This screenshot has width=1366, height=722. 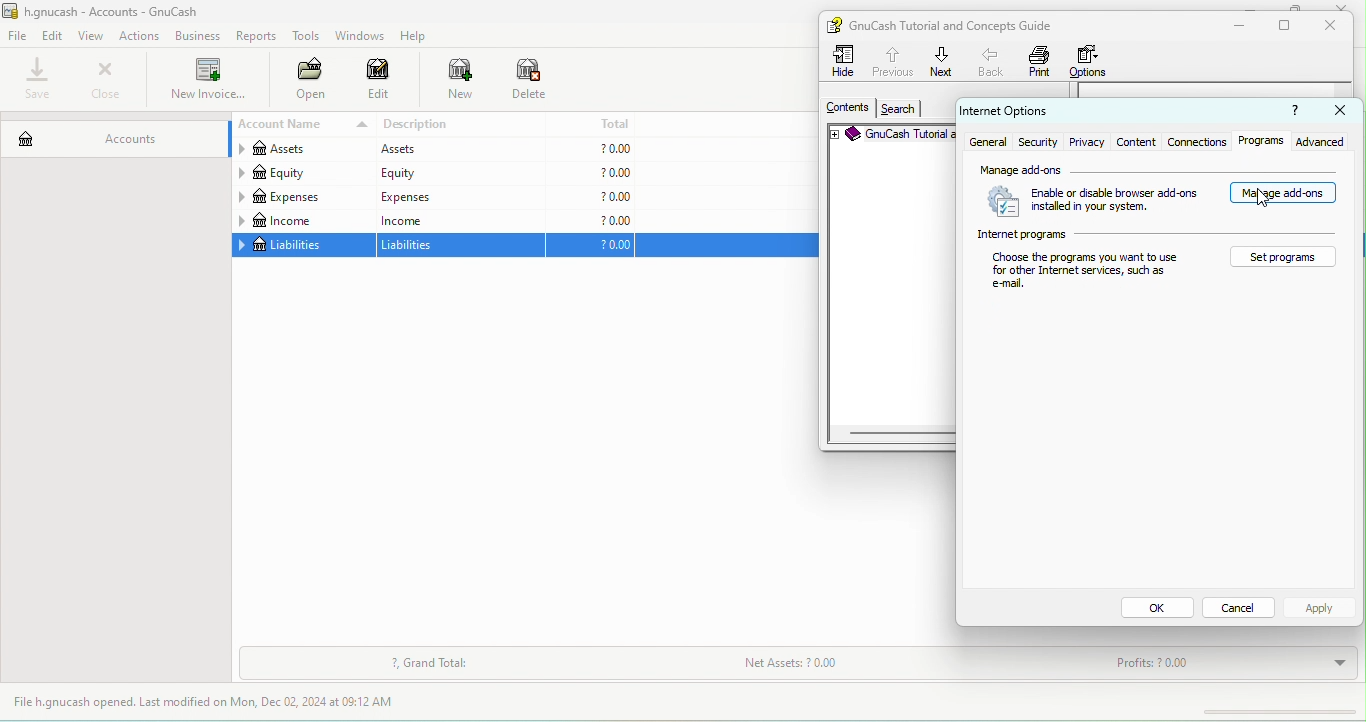 I want to click on search, so click(x=898, y=109).